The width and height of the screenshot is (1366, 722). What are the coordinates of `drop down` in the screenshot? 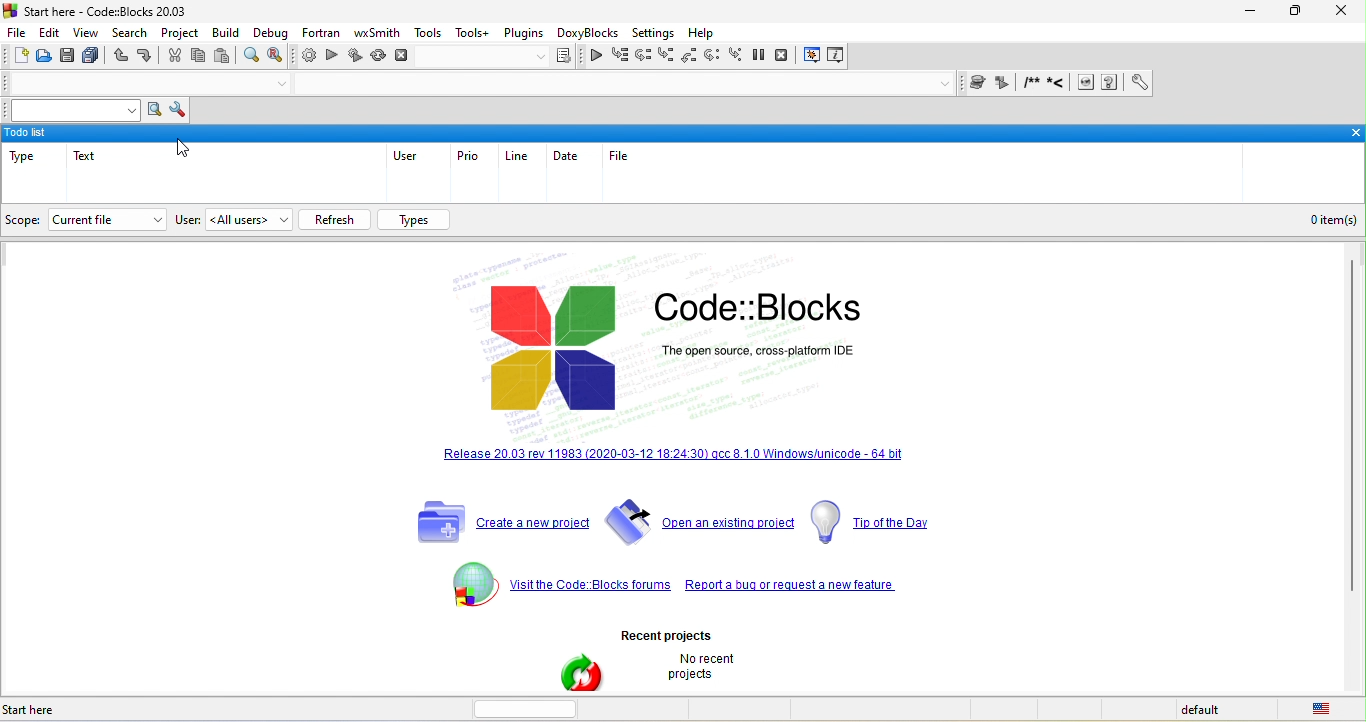 It's located at (946, 84).